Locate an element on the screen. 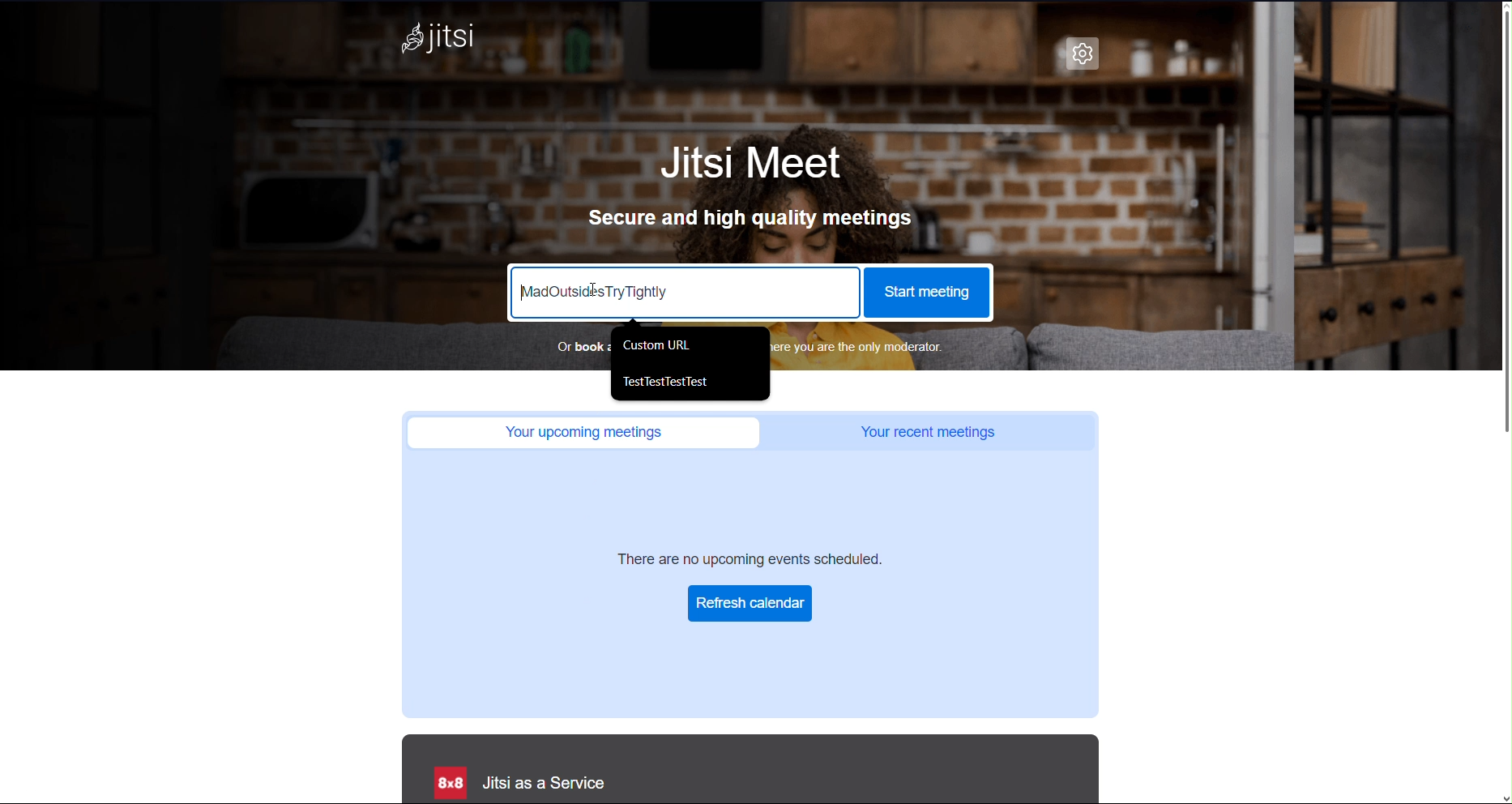  Book a meeting URL in advance where you are the only moderator is located at coordinates (866, 349).